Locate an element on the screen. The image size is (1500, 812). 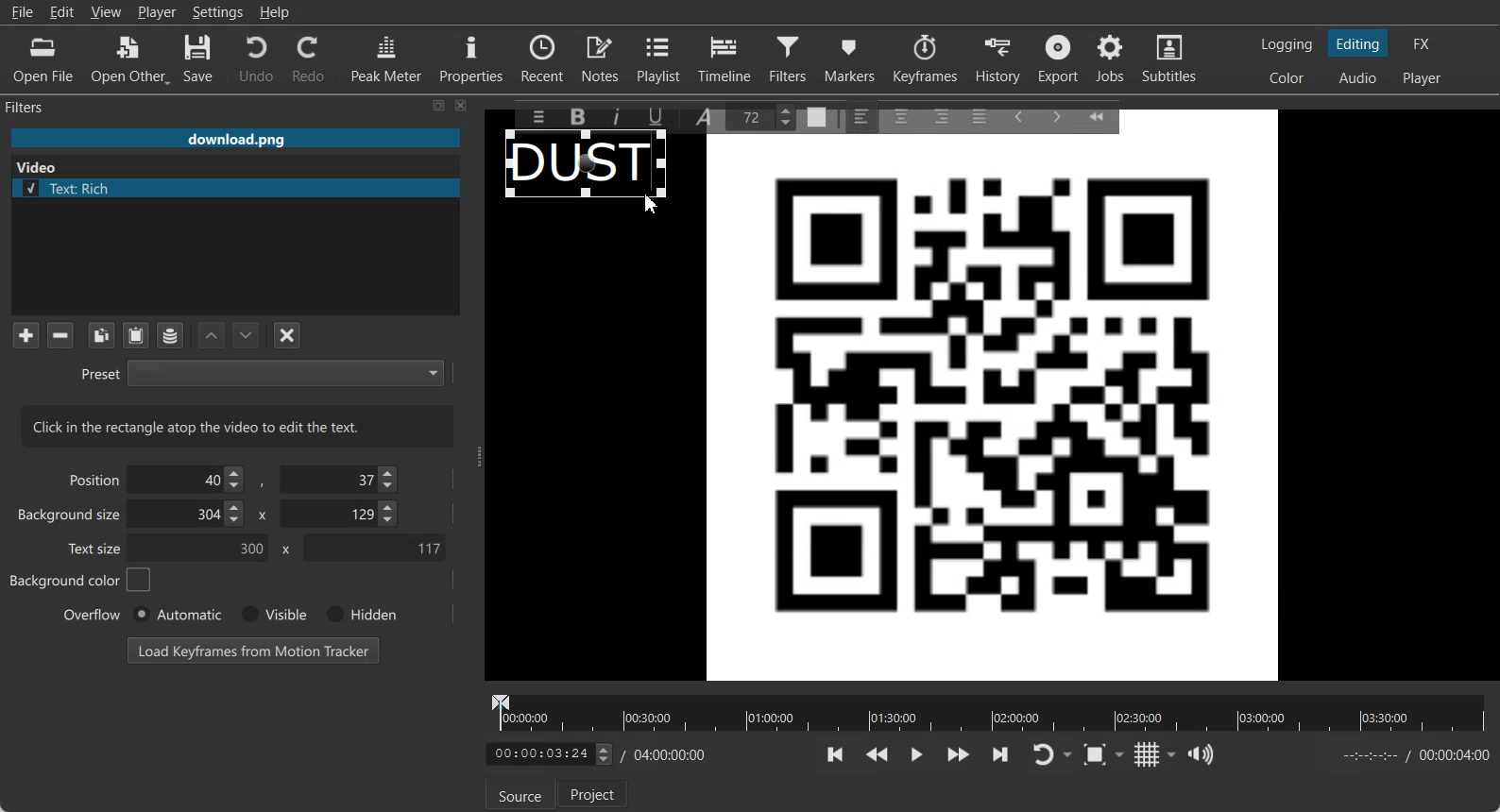
Switching to the Color layout is located at coordinates (1287, 78).